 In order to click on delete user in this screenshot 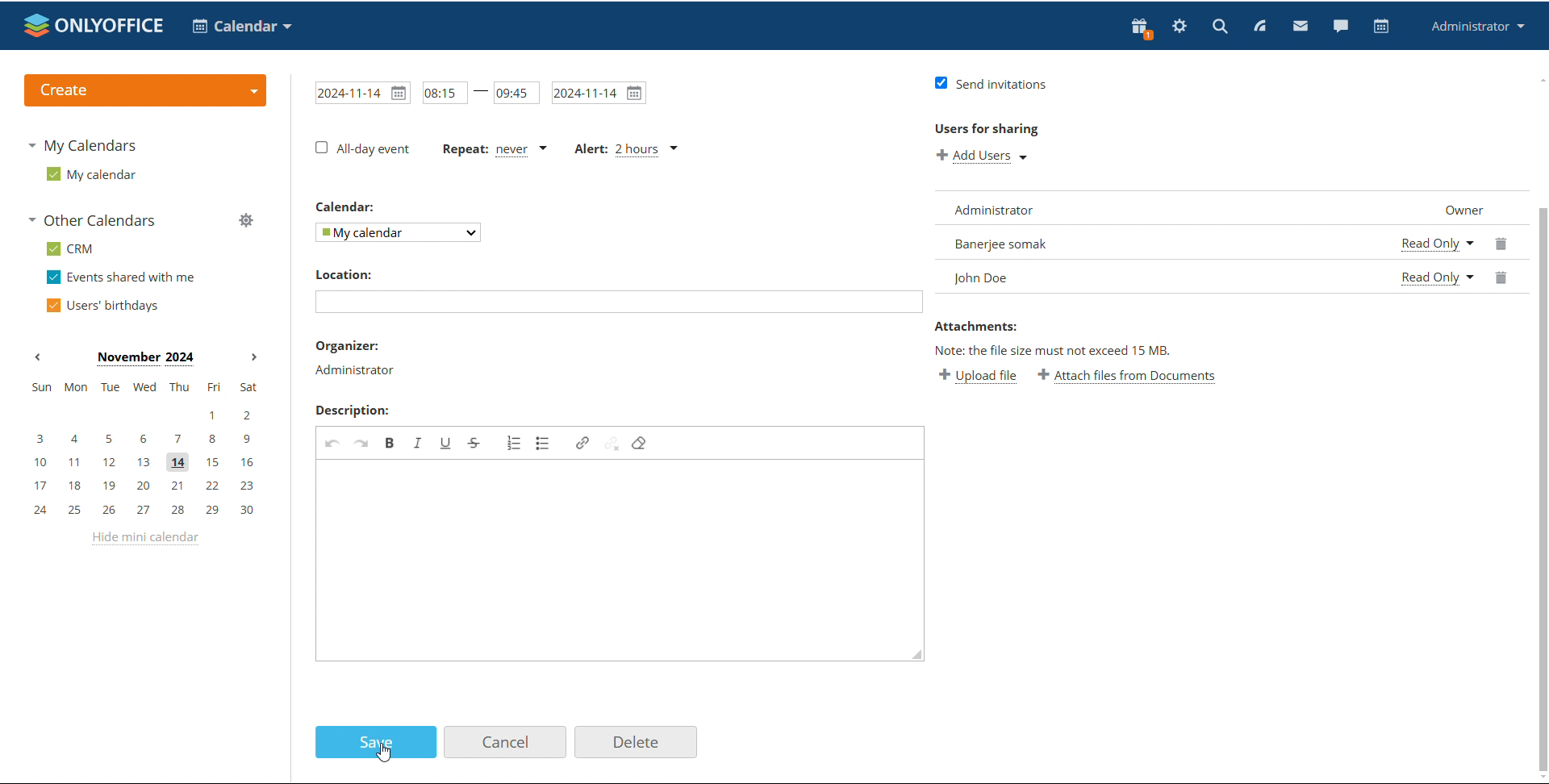, I will do `click(1505, 262)`.